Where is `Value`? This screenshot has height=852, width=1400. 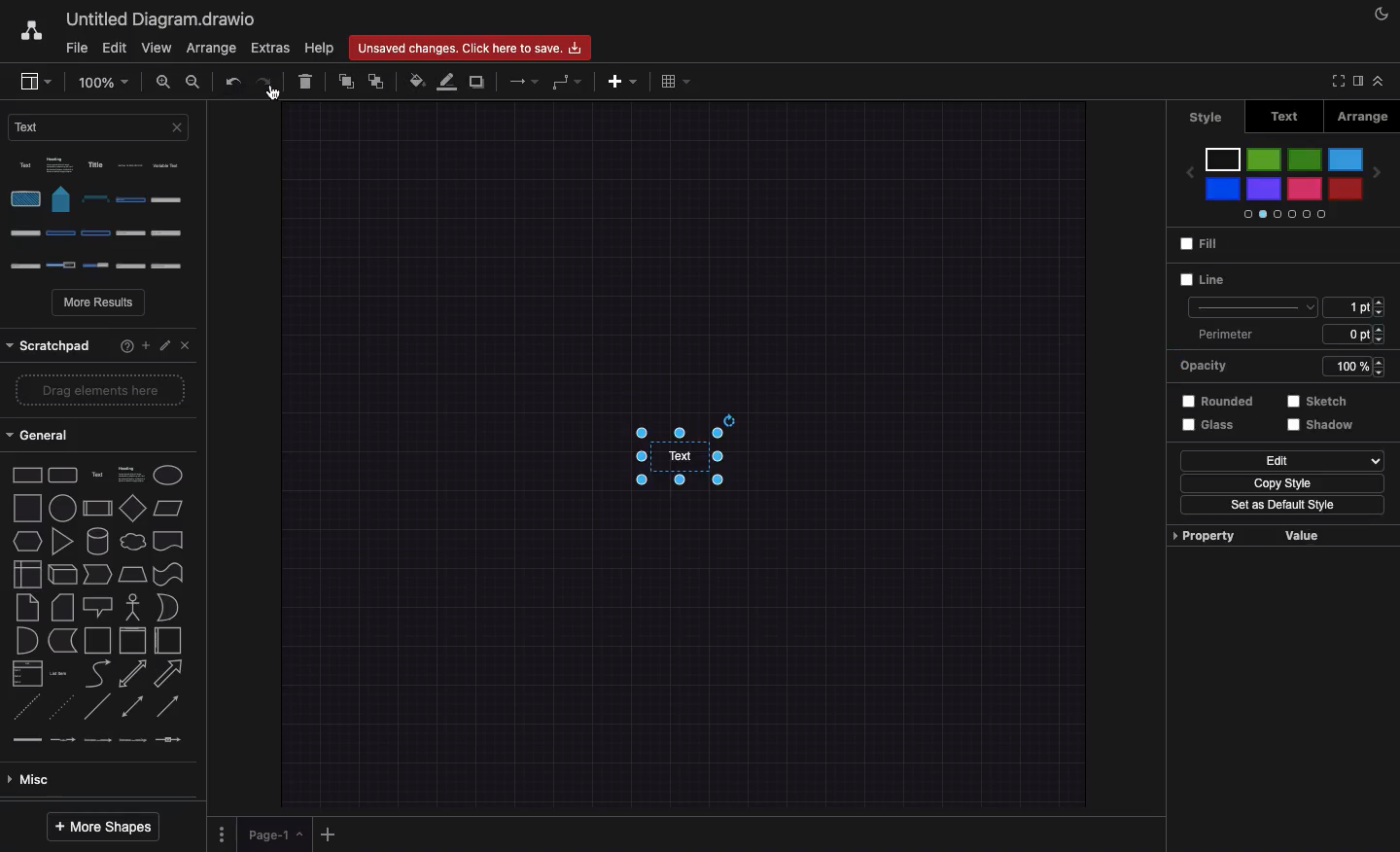 Value is located at coordinates (1298, 536).